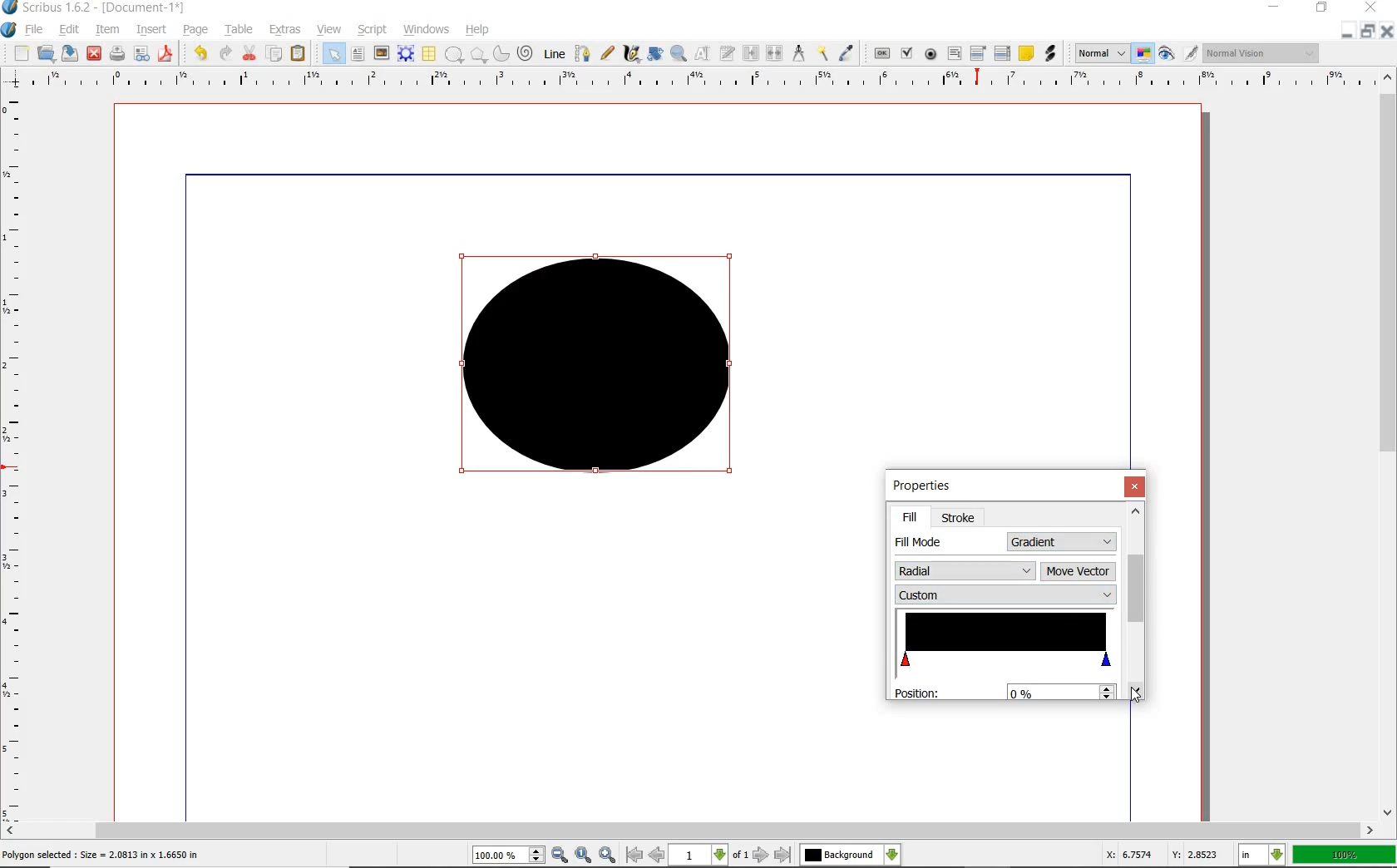 This screenshot has height=868, width=1397. I want to click on HELP, so click(481, 28).